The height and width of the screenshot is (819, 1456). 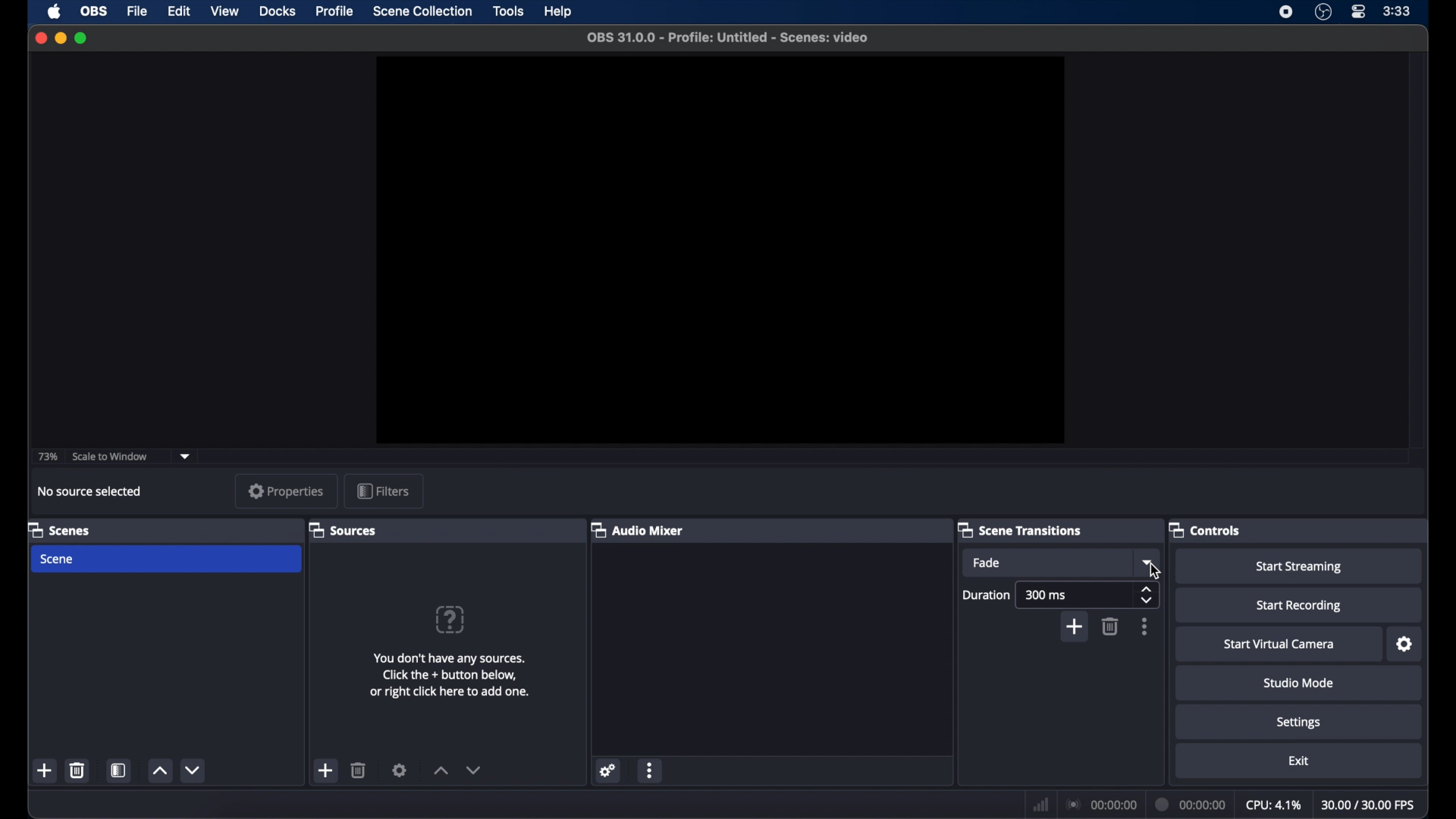 I want to click on settings, so click(x=1405, y=645).